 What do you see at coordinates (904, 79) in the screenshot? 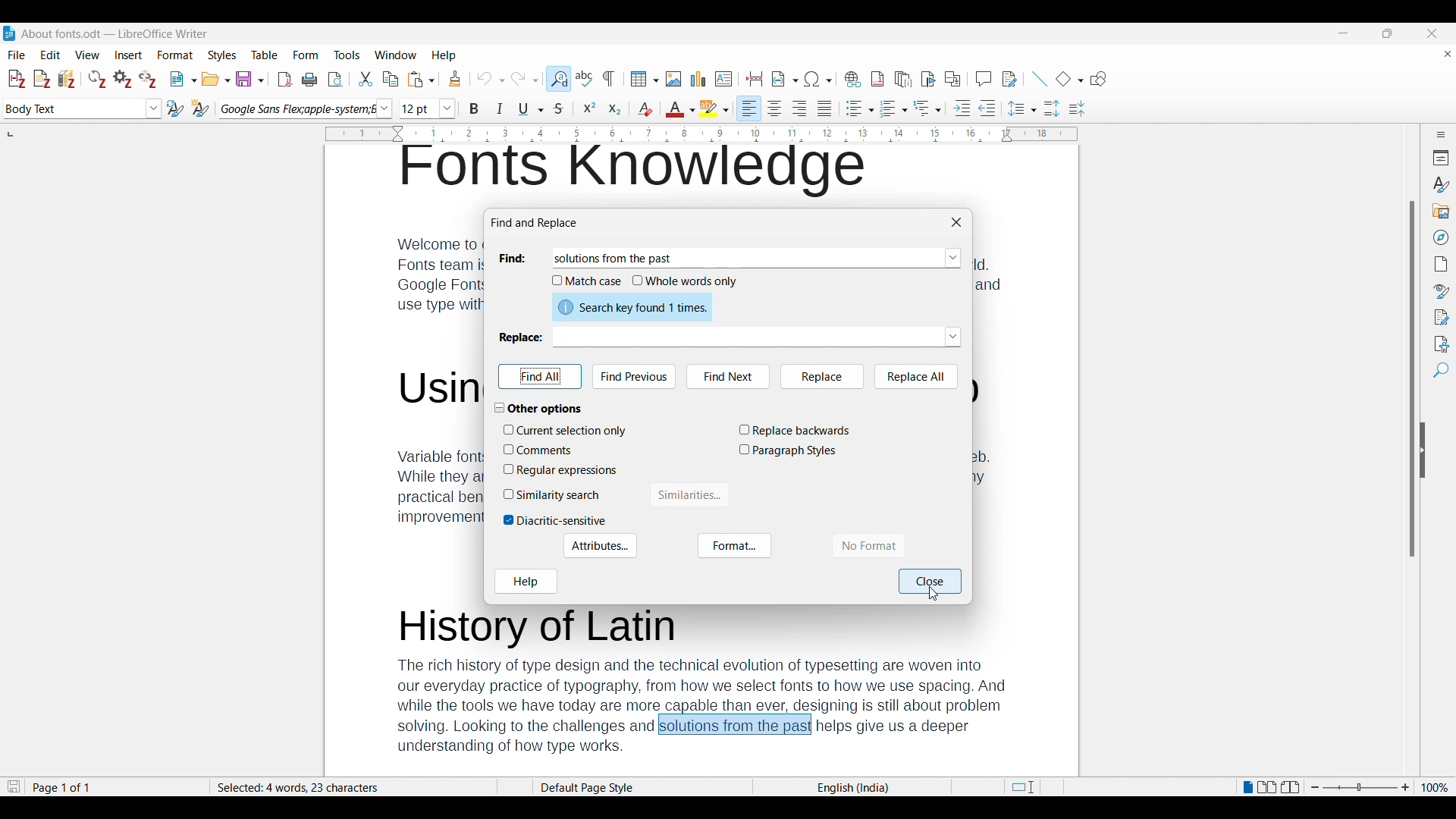
I see `Insert endnote` at bounding box center [904, 79].